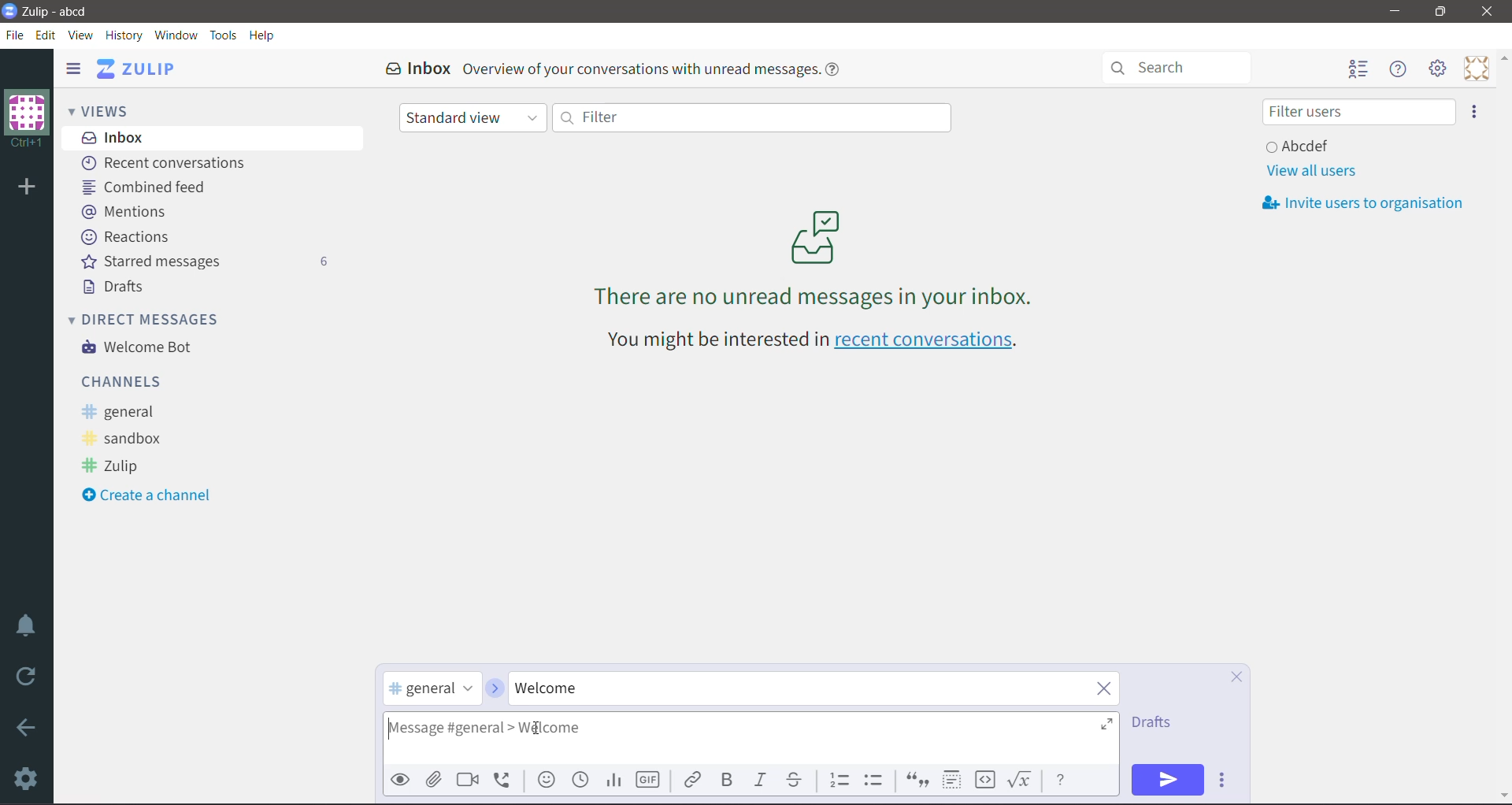 This screenshot has height=805, width=1512. I want to click on Add GIF, so click(647, 781).